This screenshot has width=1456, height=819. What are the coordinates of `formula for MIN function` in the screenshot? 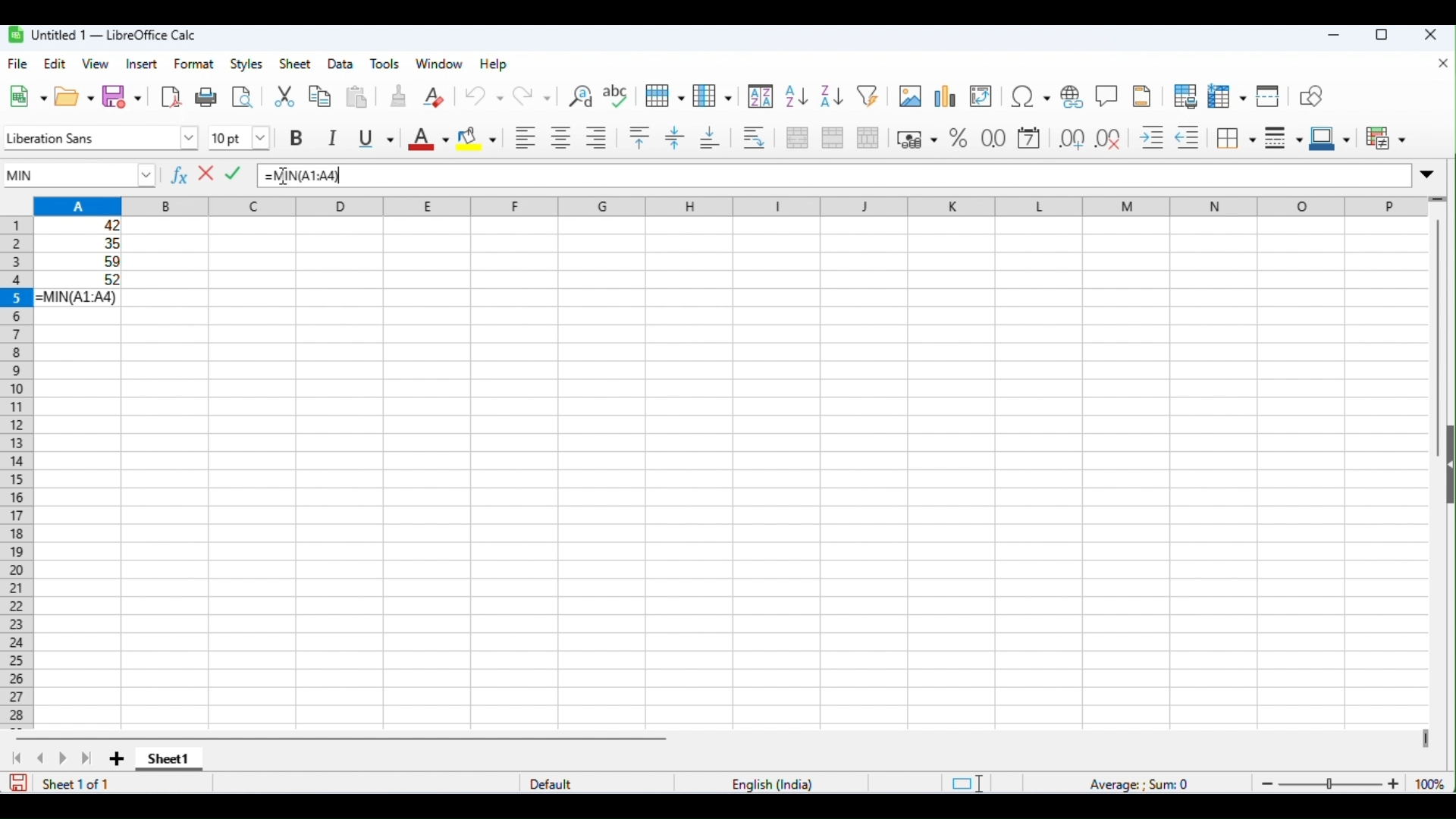 It's located at (301, 177).